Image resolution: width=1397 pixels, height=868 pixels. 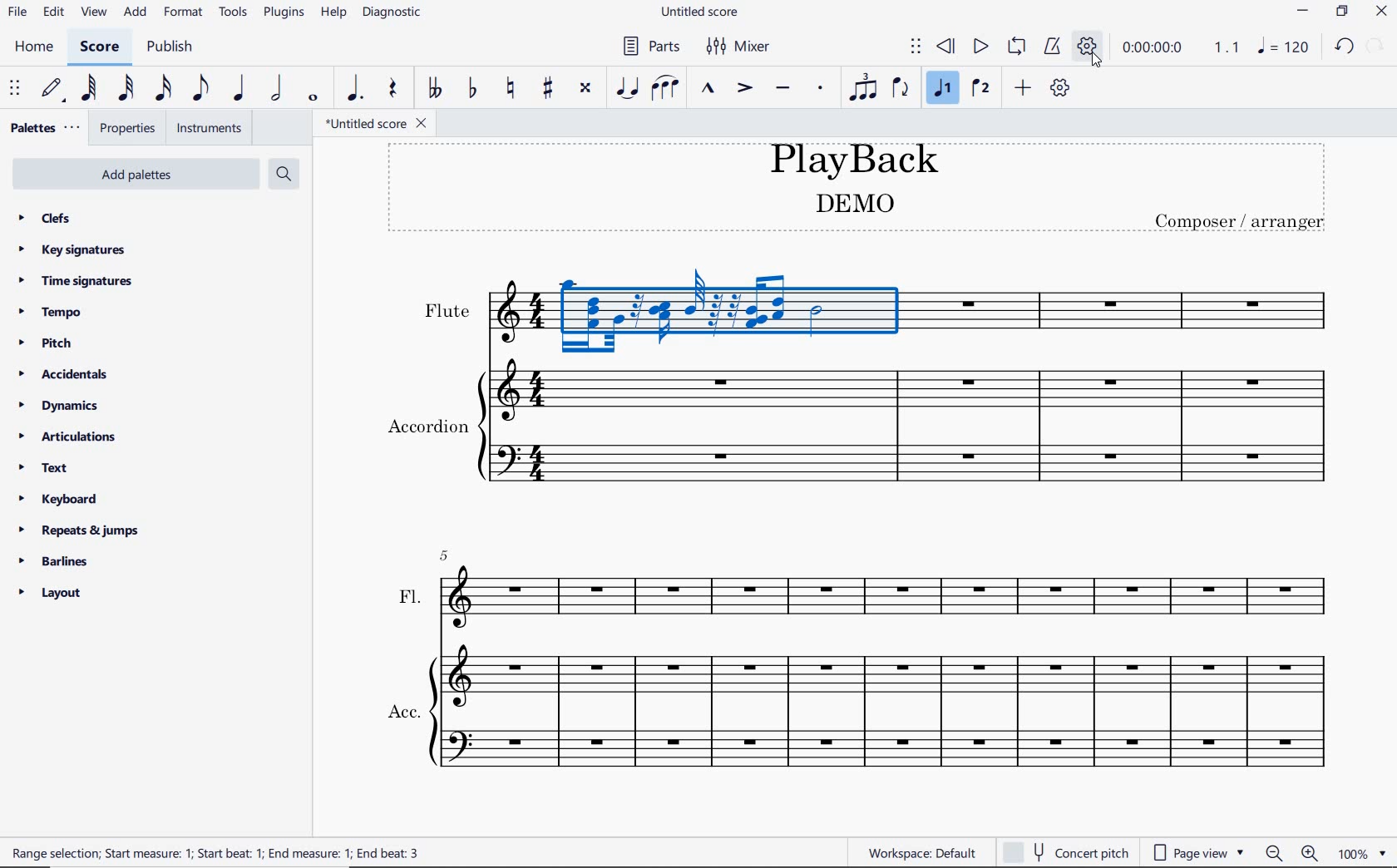 I want to click on repeats & jumps, so click(x=79, y=530).